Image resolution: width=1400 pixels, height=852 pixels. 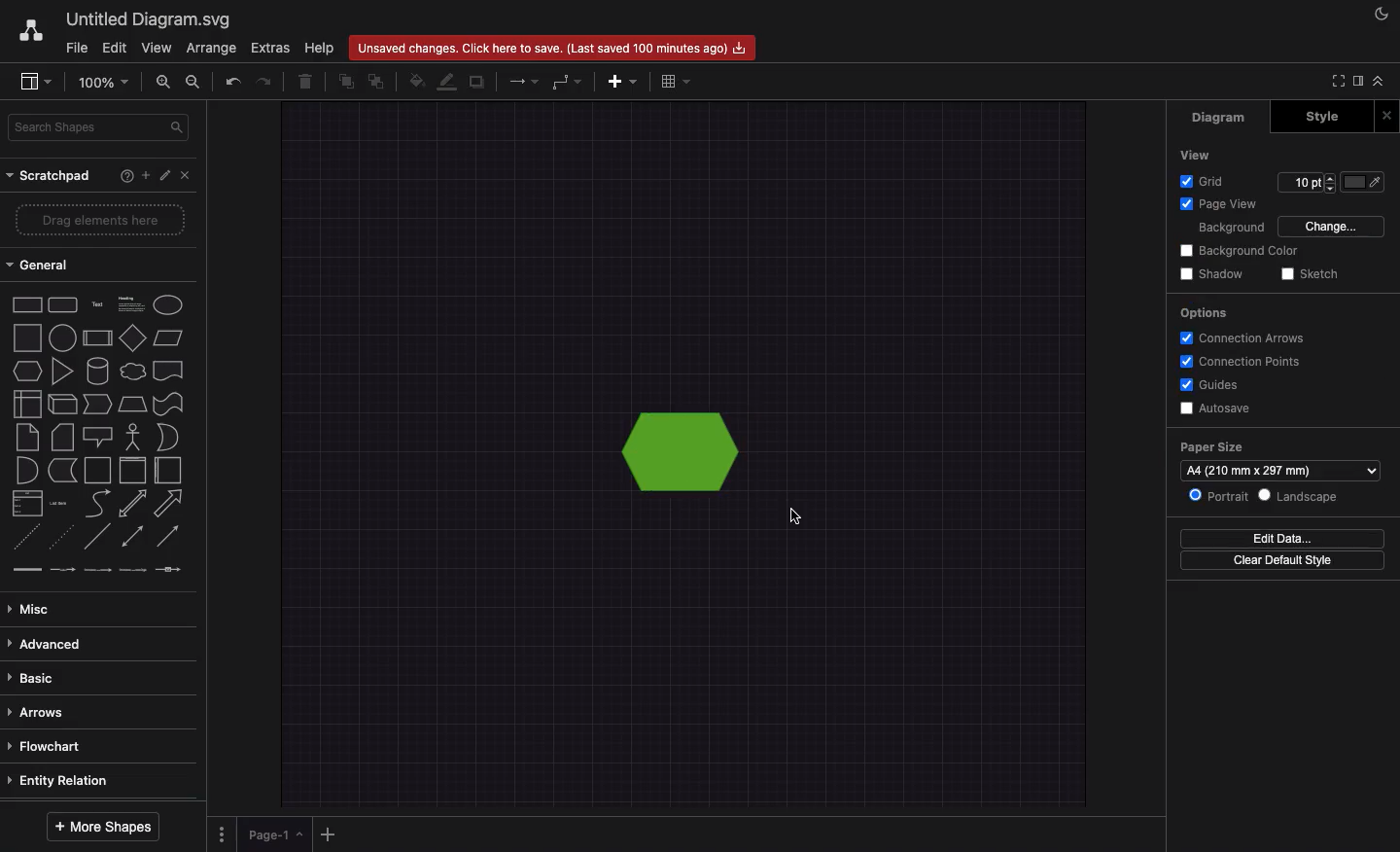 What do you see at coordinates (322, 49) in the screenshot?
I see `Help` at bounding box center [322, 49].